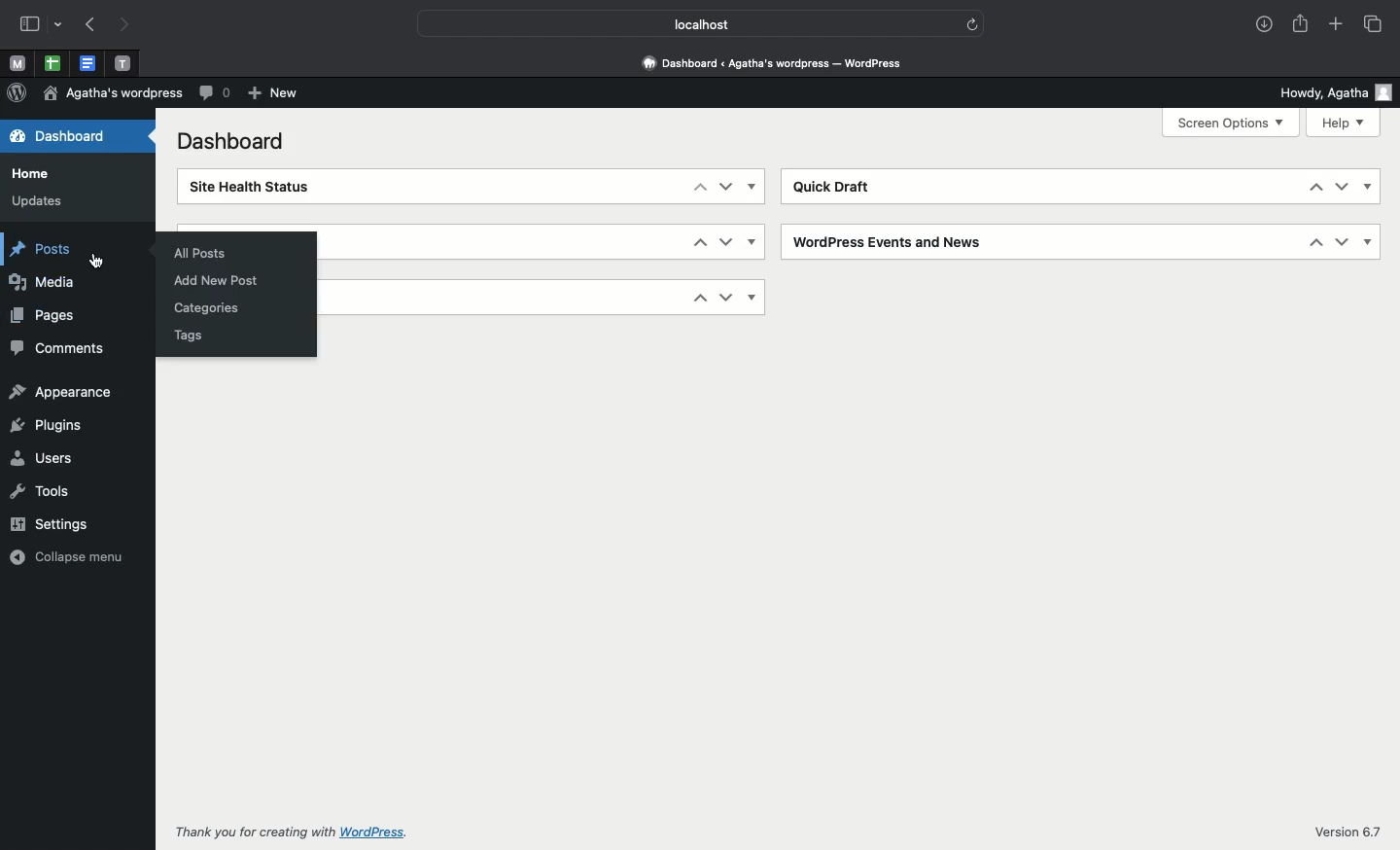  What do you see at coordinates (125, 62) in the screenshot?
I see `Pinned tabs` at bounding box center [125, 62].